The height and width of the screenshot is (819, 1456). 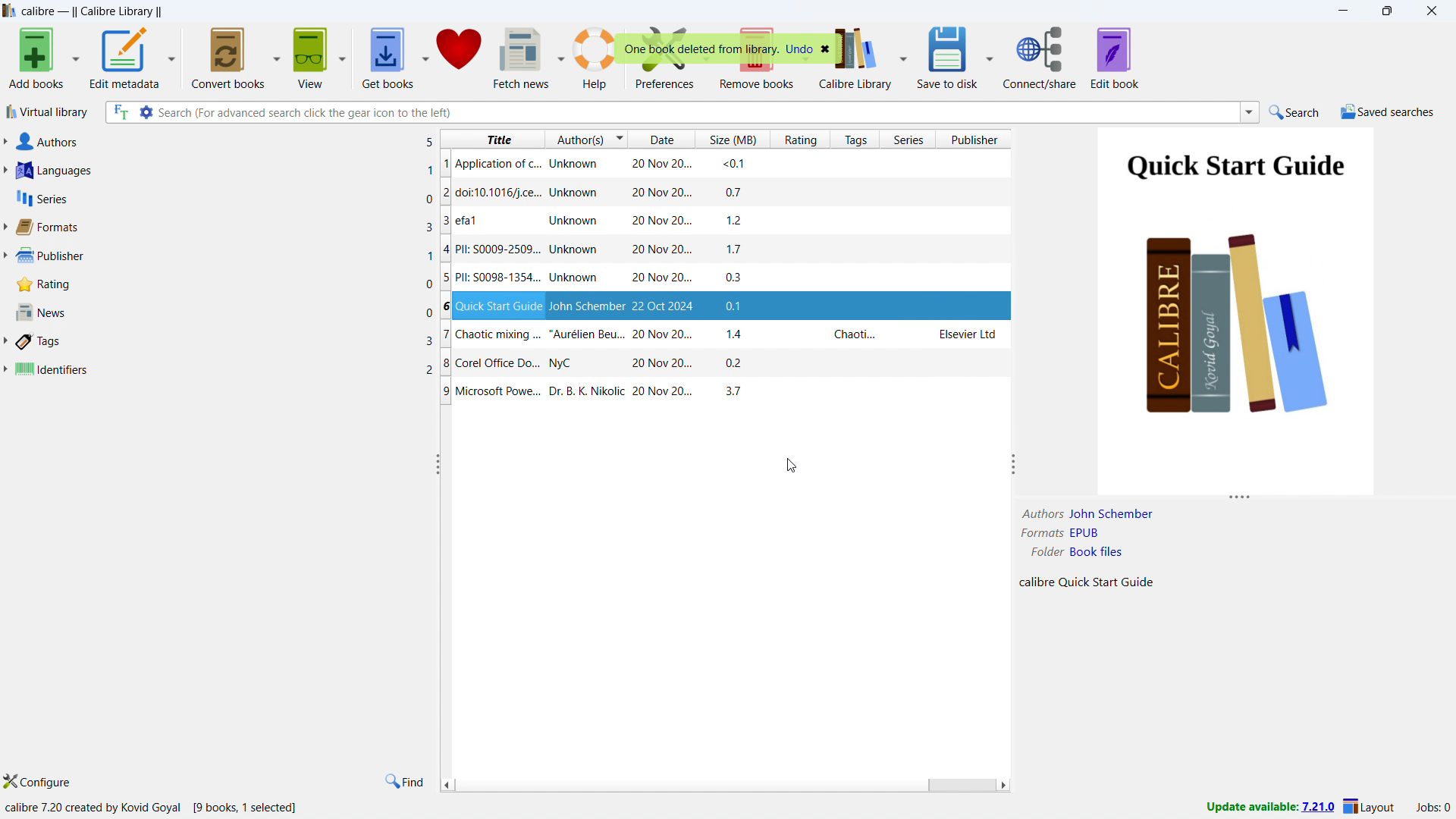 What do you see at coordinates (729, 334) in the screenshot?
I see `Quick start Guide ` at bounding box center [729, 334].